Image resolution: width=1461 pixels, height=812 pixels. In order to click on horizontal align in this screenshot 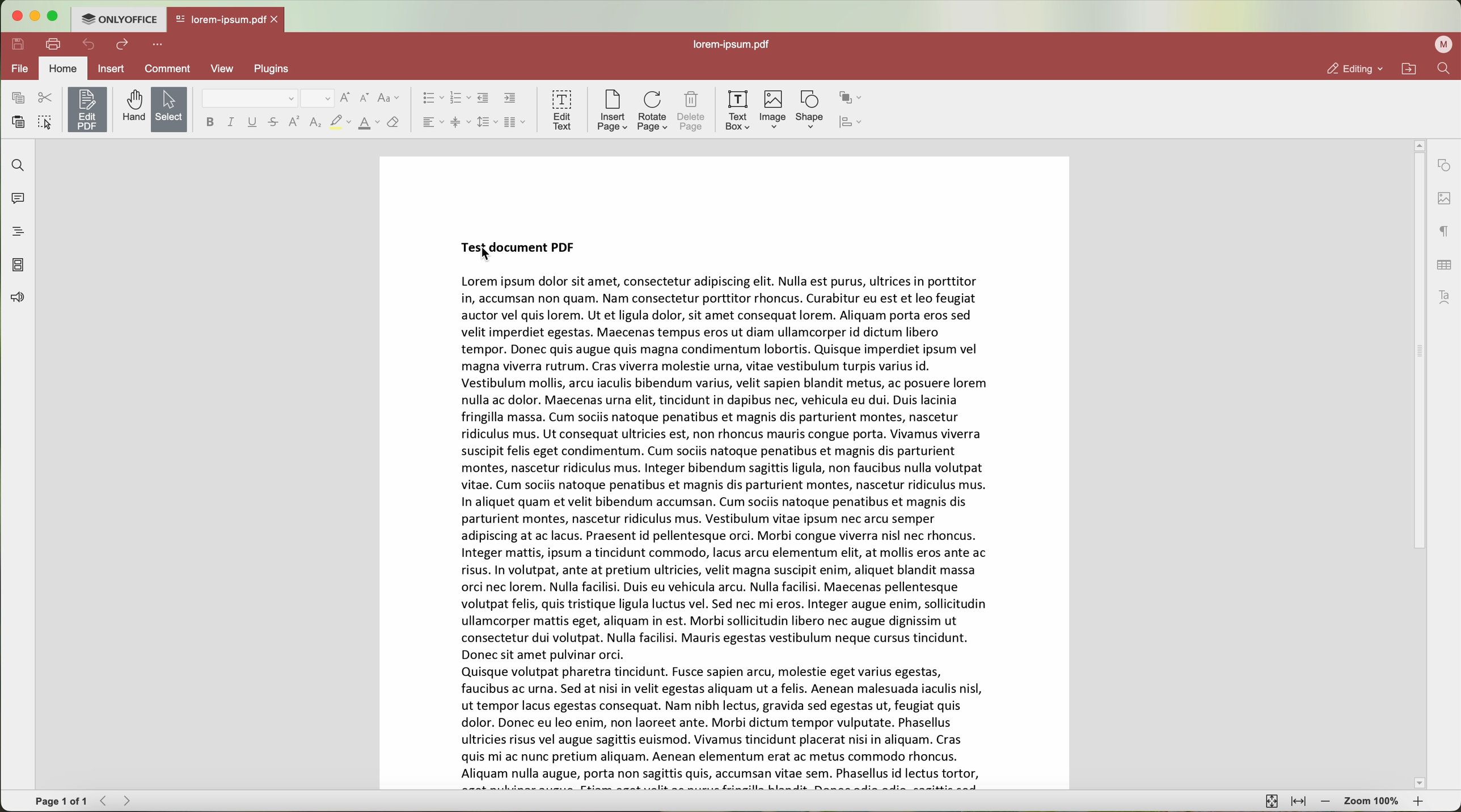, I will do `click(432, 122)`.